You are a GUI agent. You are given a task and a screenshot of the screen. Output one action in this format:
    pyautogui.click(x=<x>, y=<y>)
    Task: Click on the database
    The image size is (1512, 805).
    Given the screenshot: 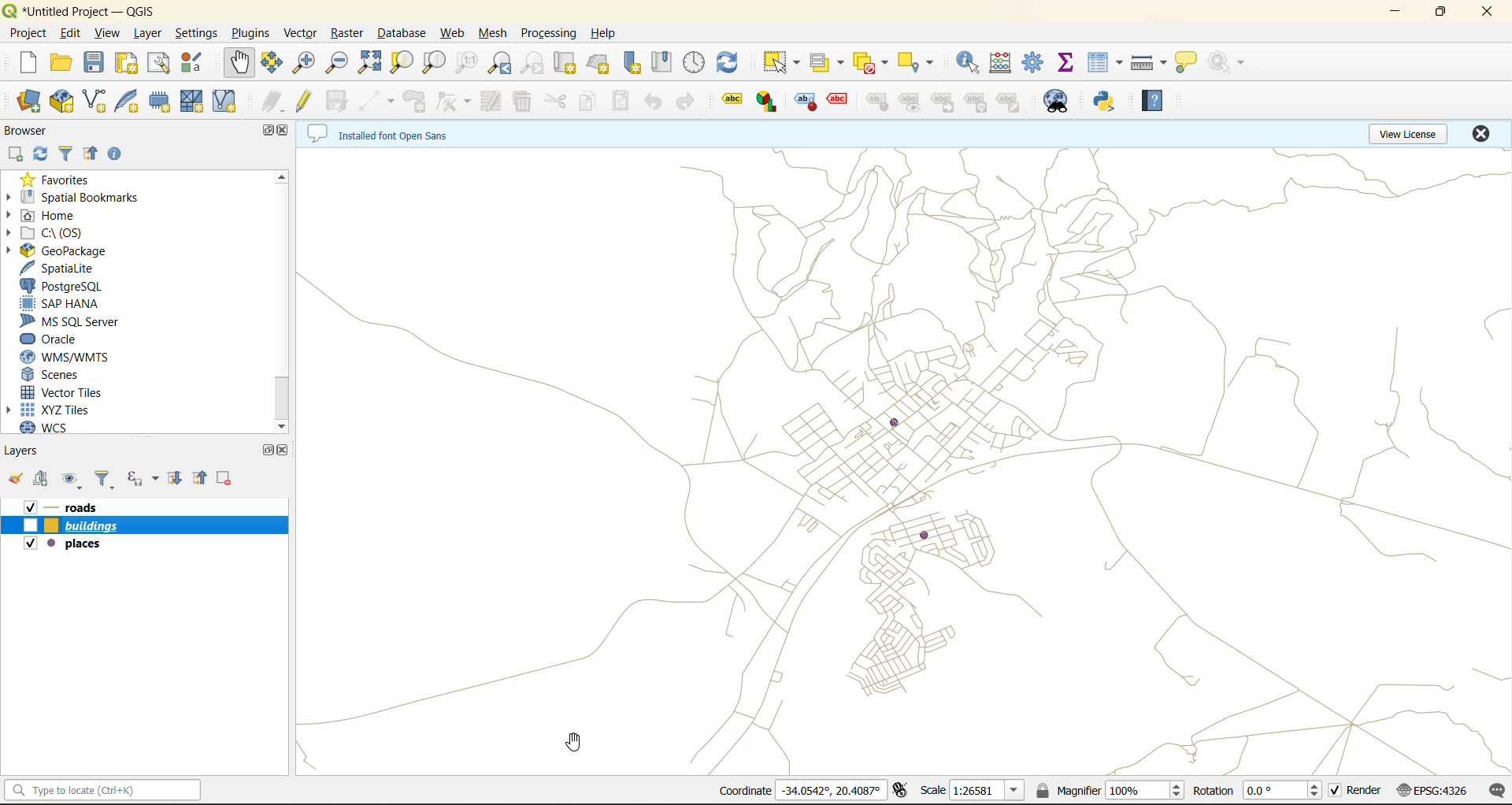 What is the action you would take?
    pyautogui.click(x=402, y=31)
    